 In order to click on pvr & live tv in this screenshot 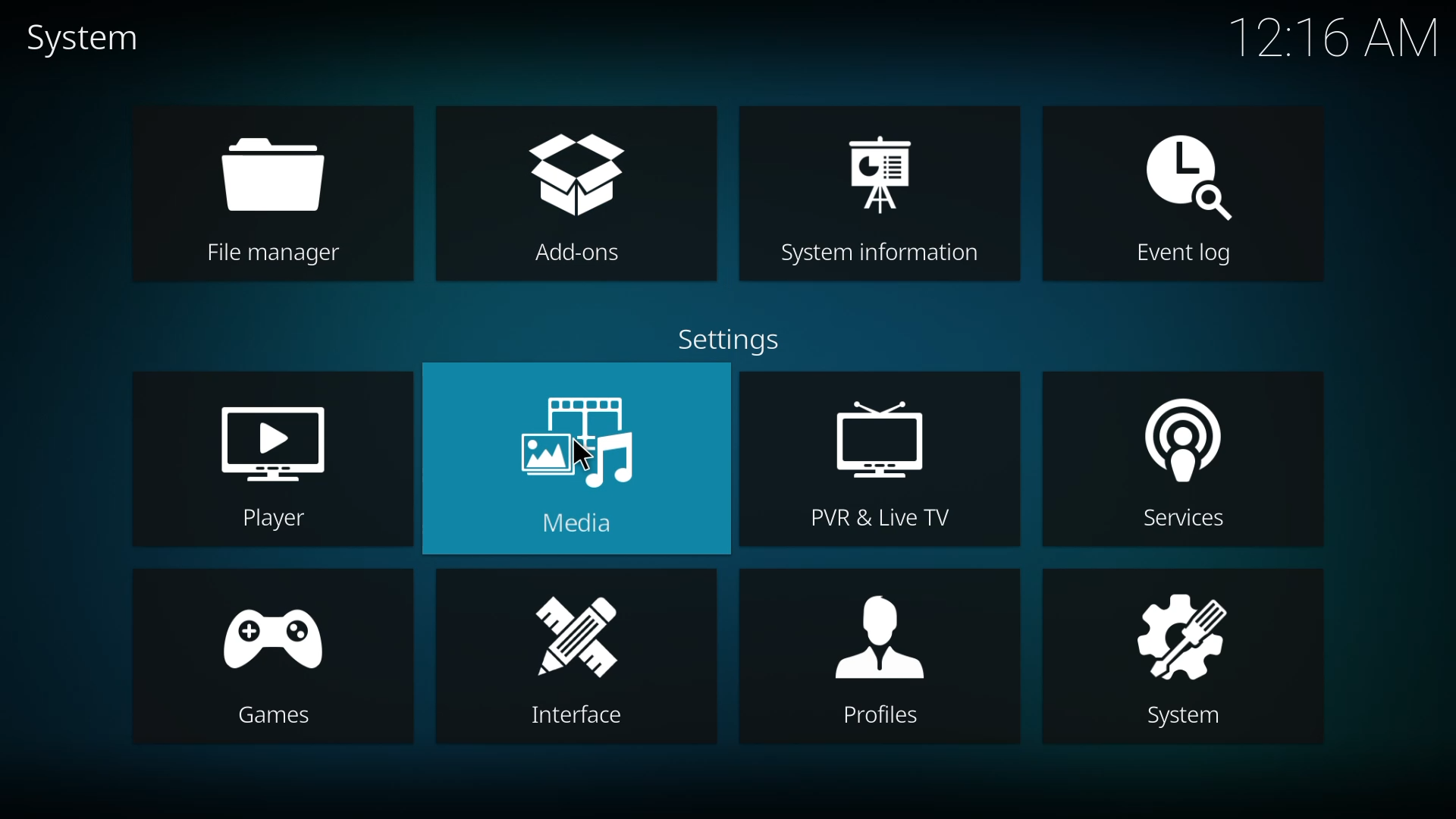, I will do `click(885, 439)`.